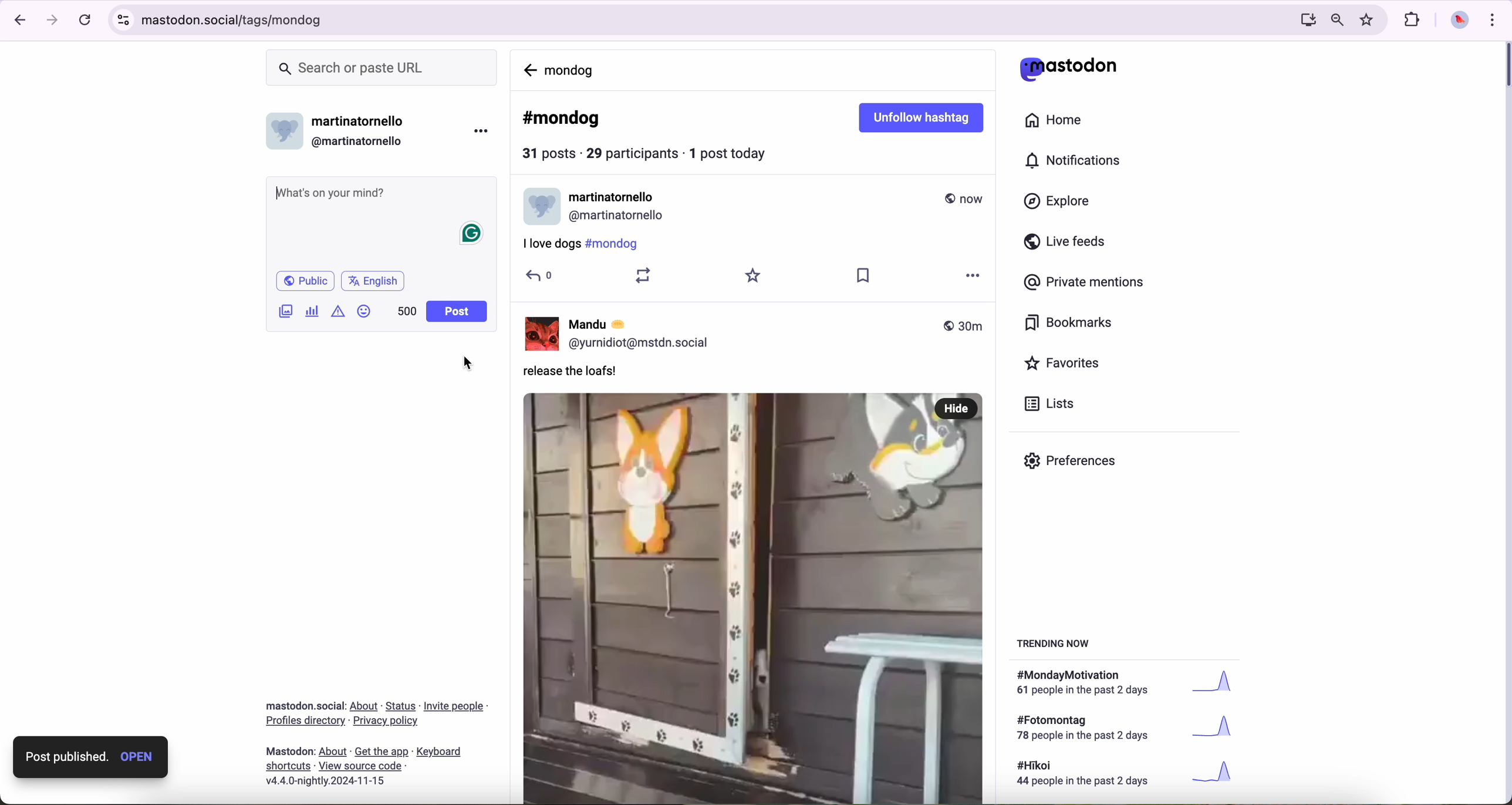 The image size is (1512, 805). What do you see at coordinates (1055, 119) in the screenshot?
I see `home` at bounding box center [1055, 119].